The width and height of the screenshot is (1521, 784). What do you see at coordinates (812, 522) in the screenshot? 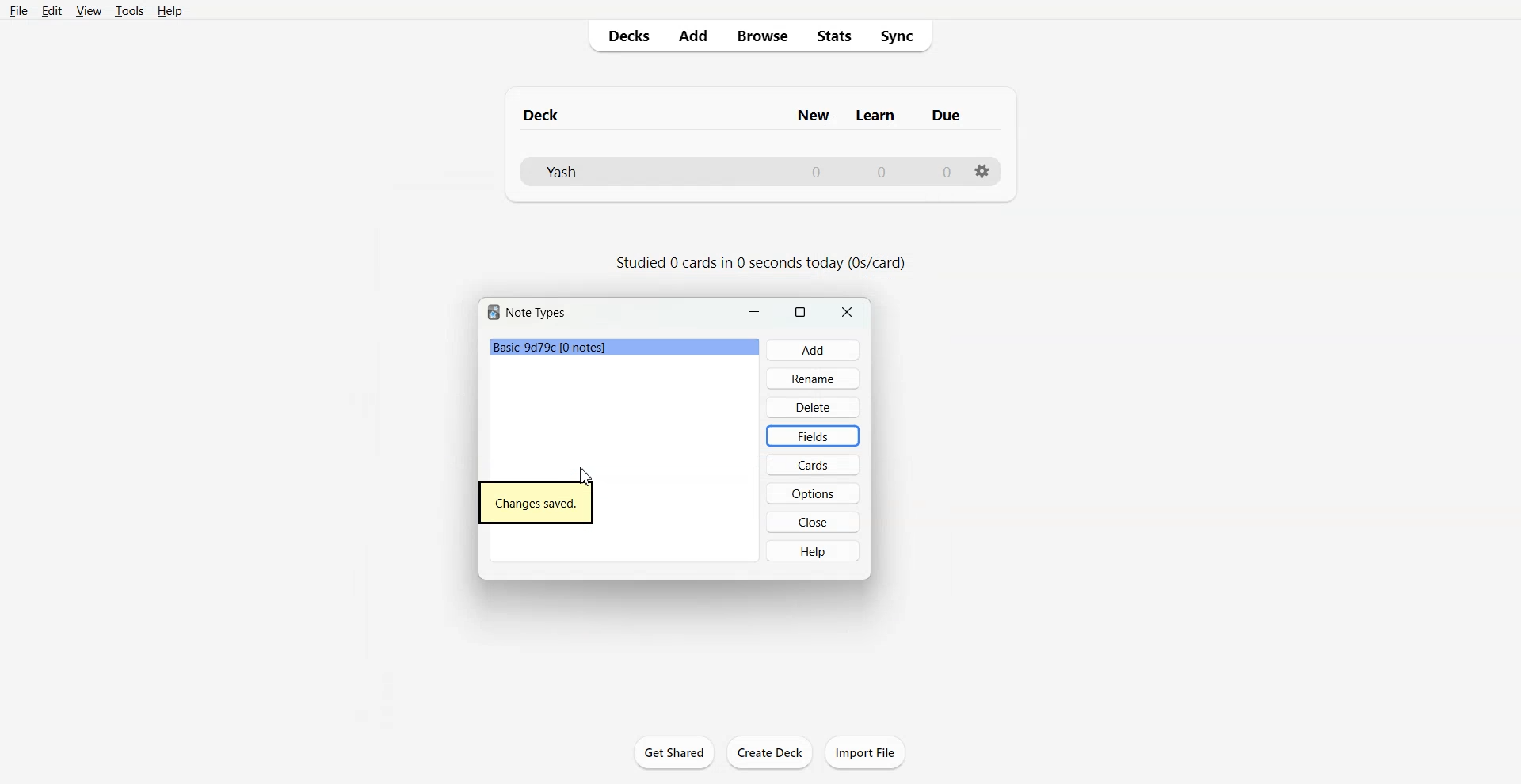
I see `Close` at bounding box center [812, 522].